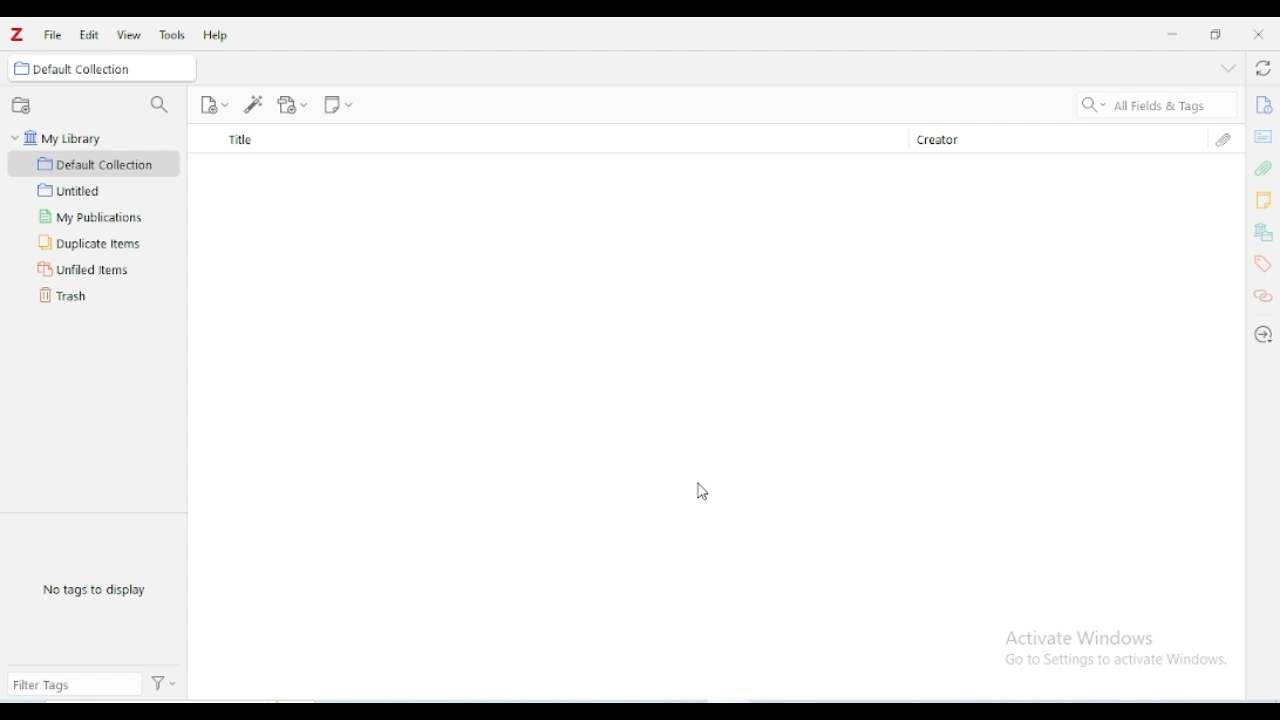 The width and height of the screenshot is (1280, 720). Describe the element at coordinates (1082, 639) in the screenshot. I see `Activate Windows` at that location.